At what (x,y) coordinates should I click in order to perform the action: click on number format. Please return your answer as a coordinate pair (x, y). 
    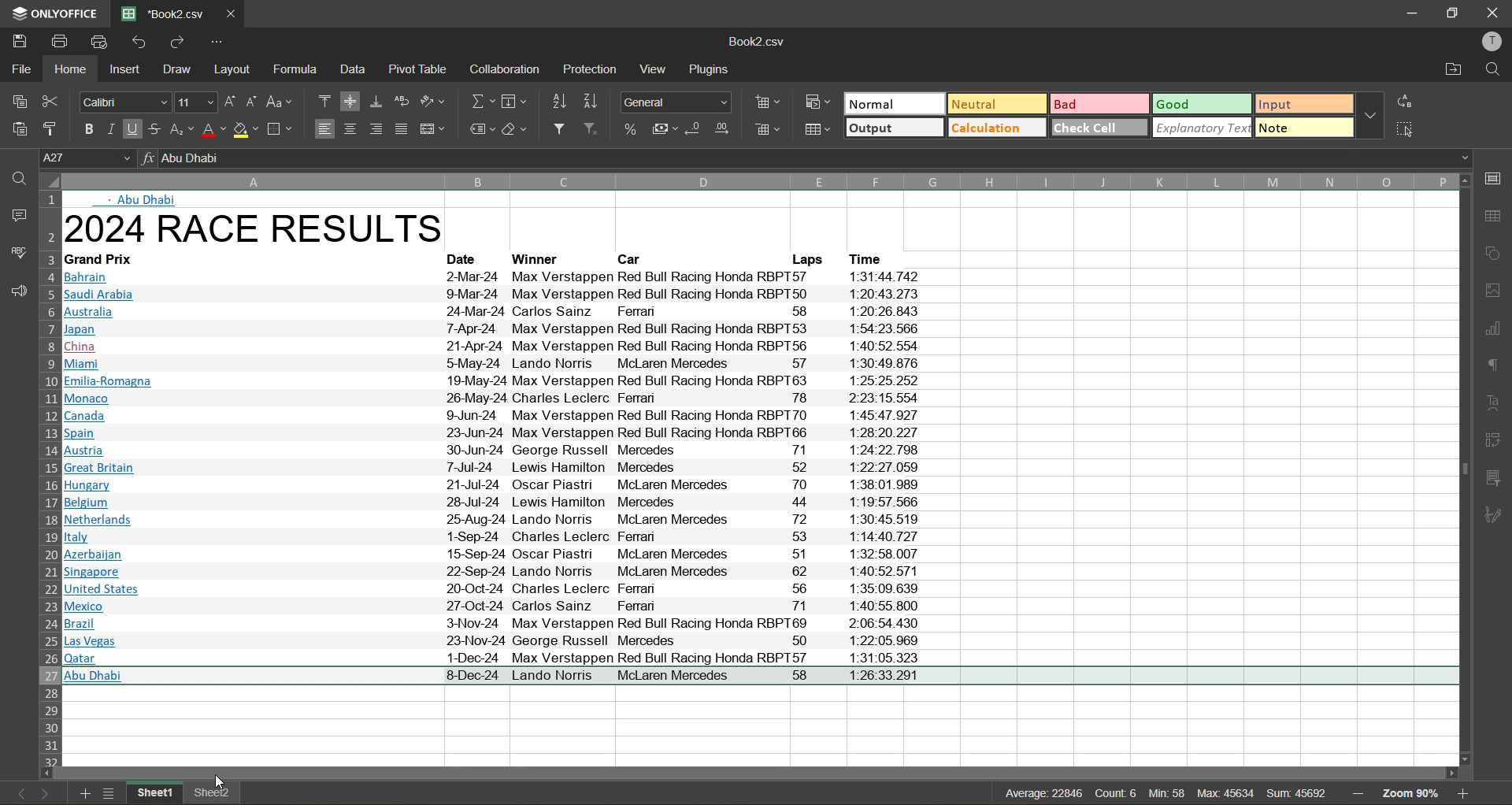
    Looking at the image, I should click on (680, 100).